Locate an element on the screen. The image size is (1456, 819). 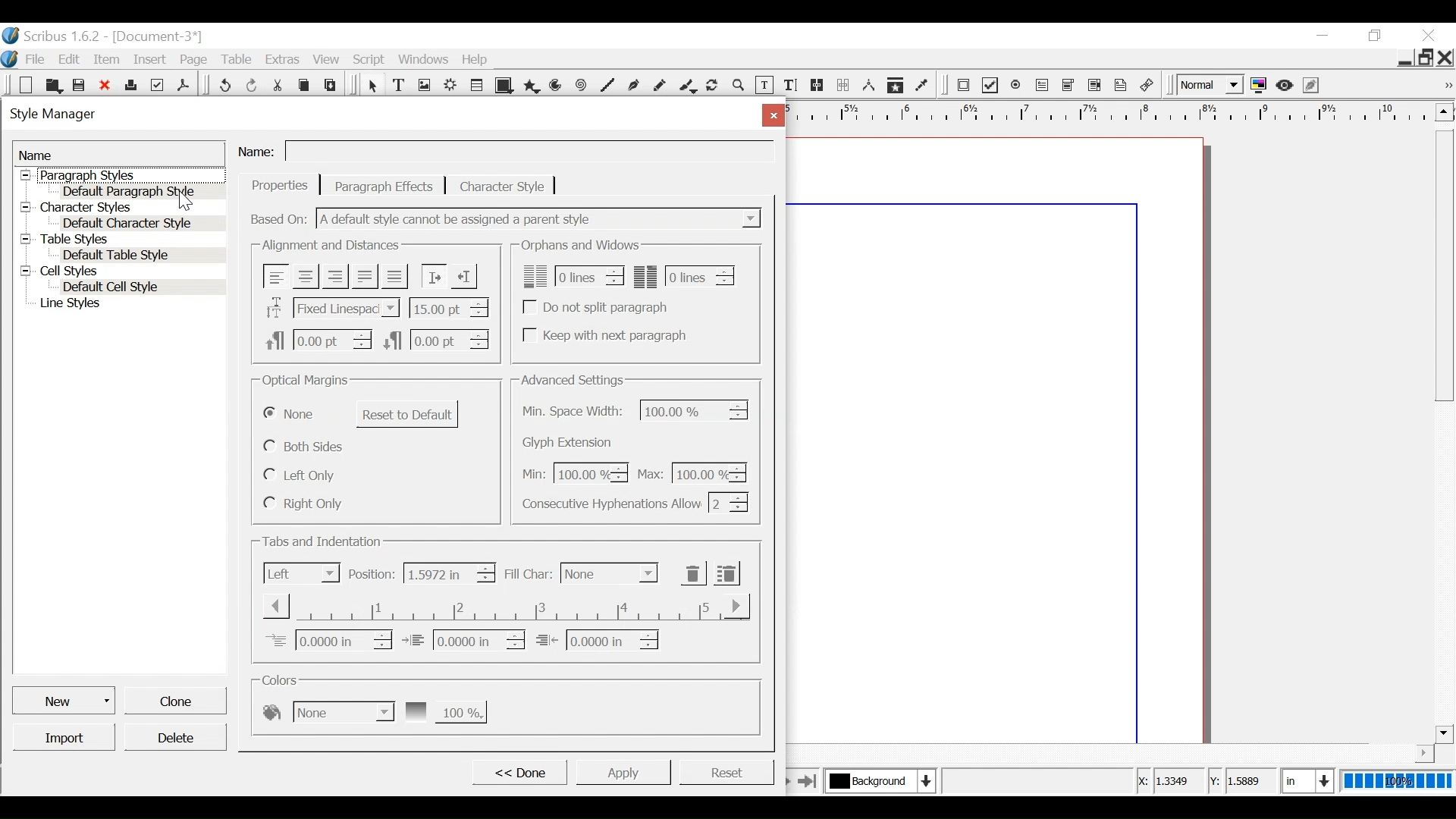
Orphans and windows is located at coordinates (579, 246).